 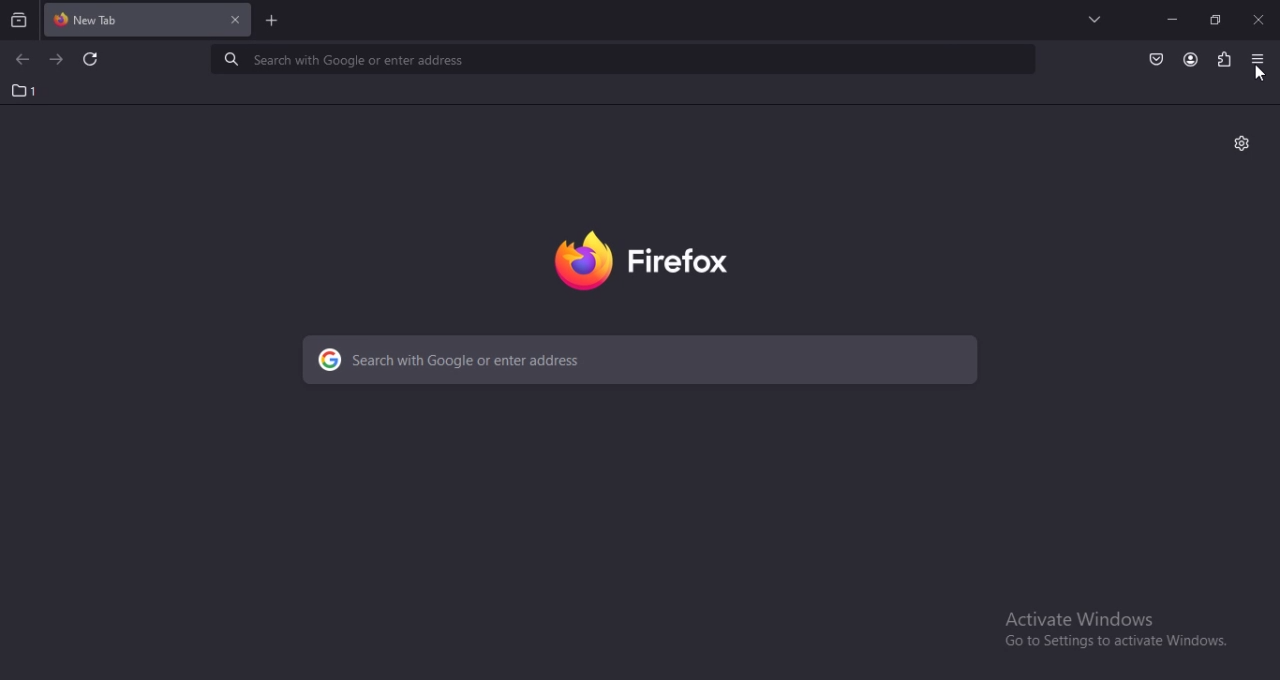 What do you see at coordinates (88, 61) in the screenshot?
I see `reload current page` at bounding box center [88, 61].